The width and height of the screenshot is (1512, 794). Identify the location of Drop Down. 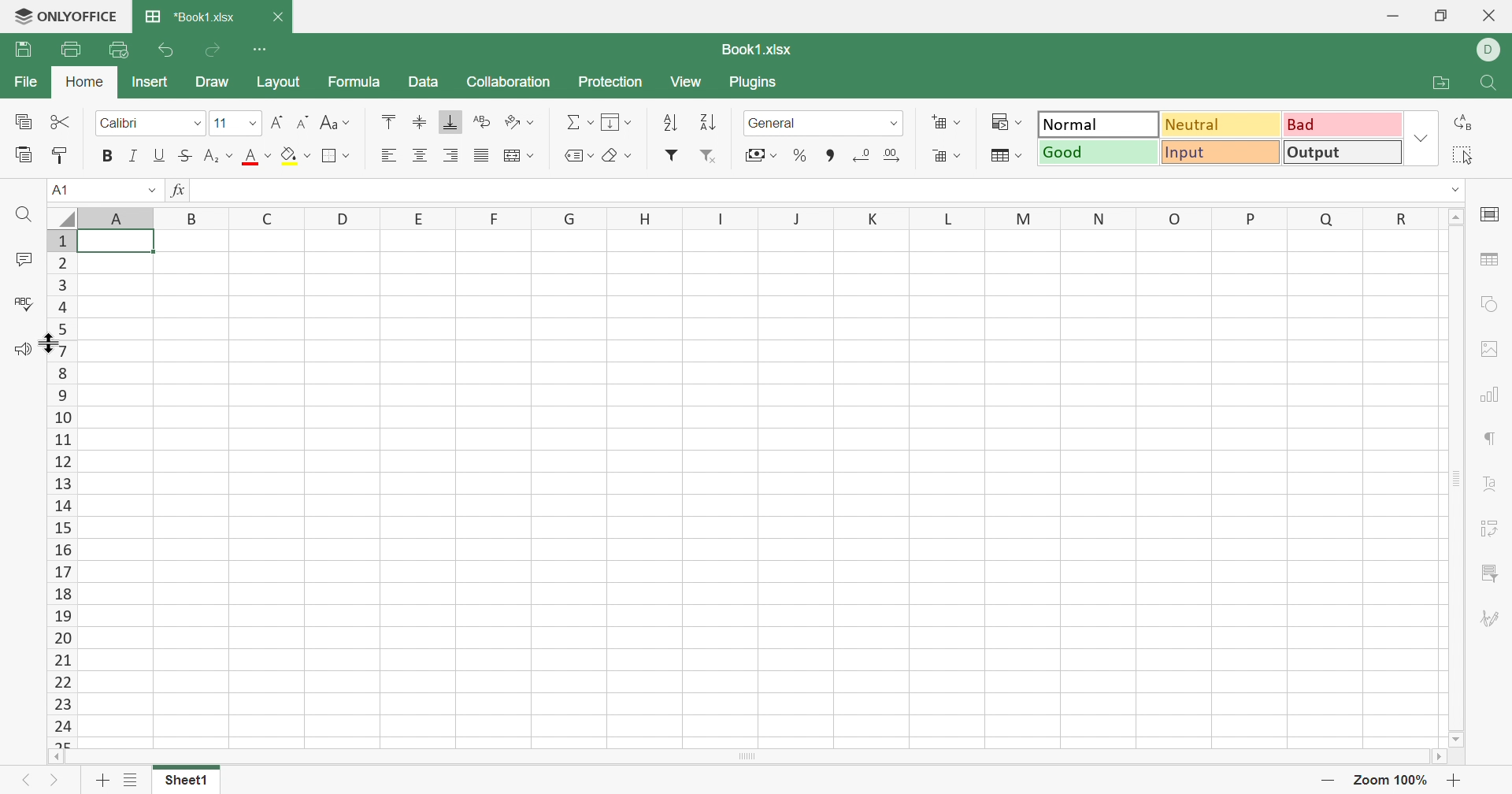
(1421, 139).